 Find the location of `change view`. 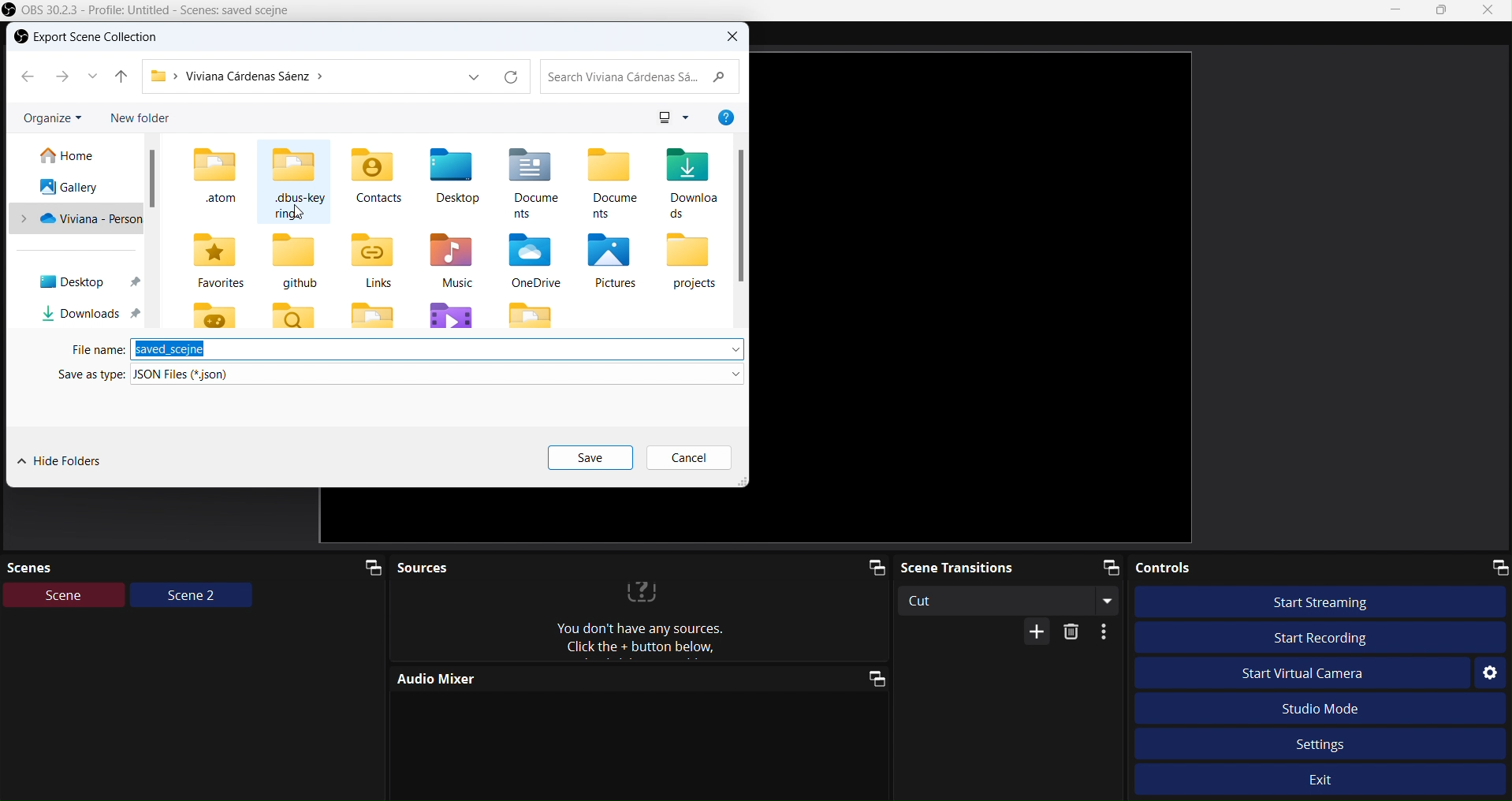

change view is located at coordinates (663, 117).